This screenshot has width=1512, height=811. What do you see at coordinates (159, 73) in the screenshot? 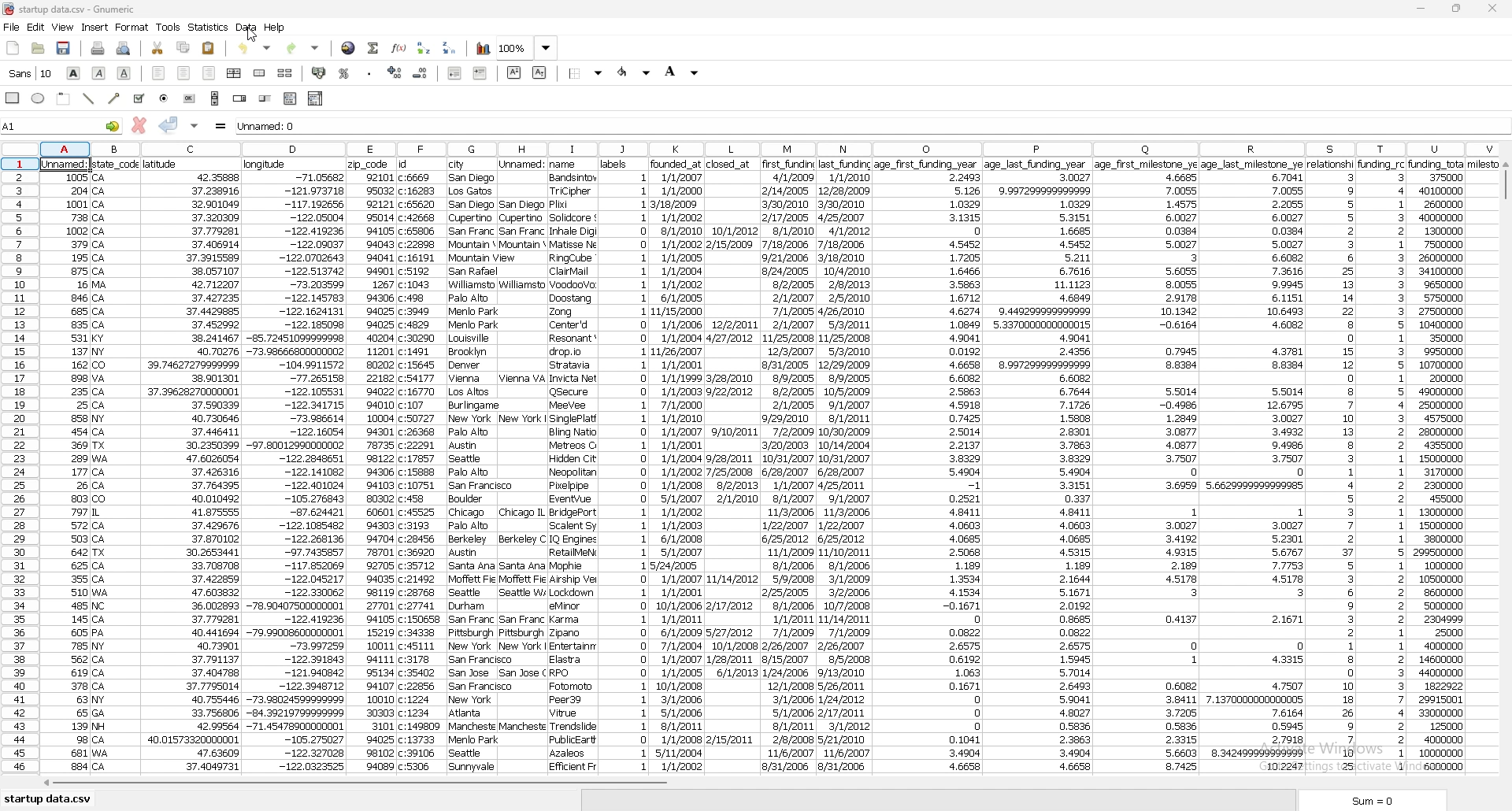
I see `left align` at bounding box center [159, 73].